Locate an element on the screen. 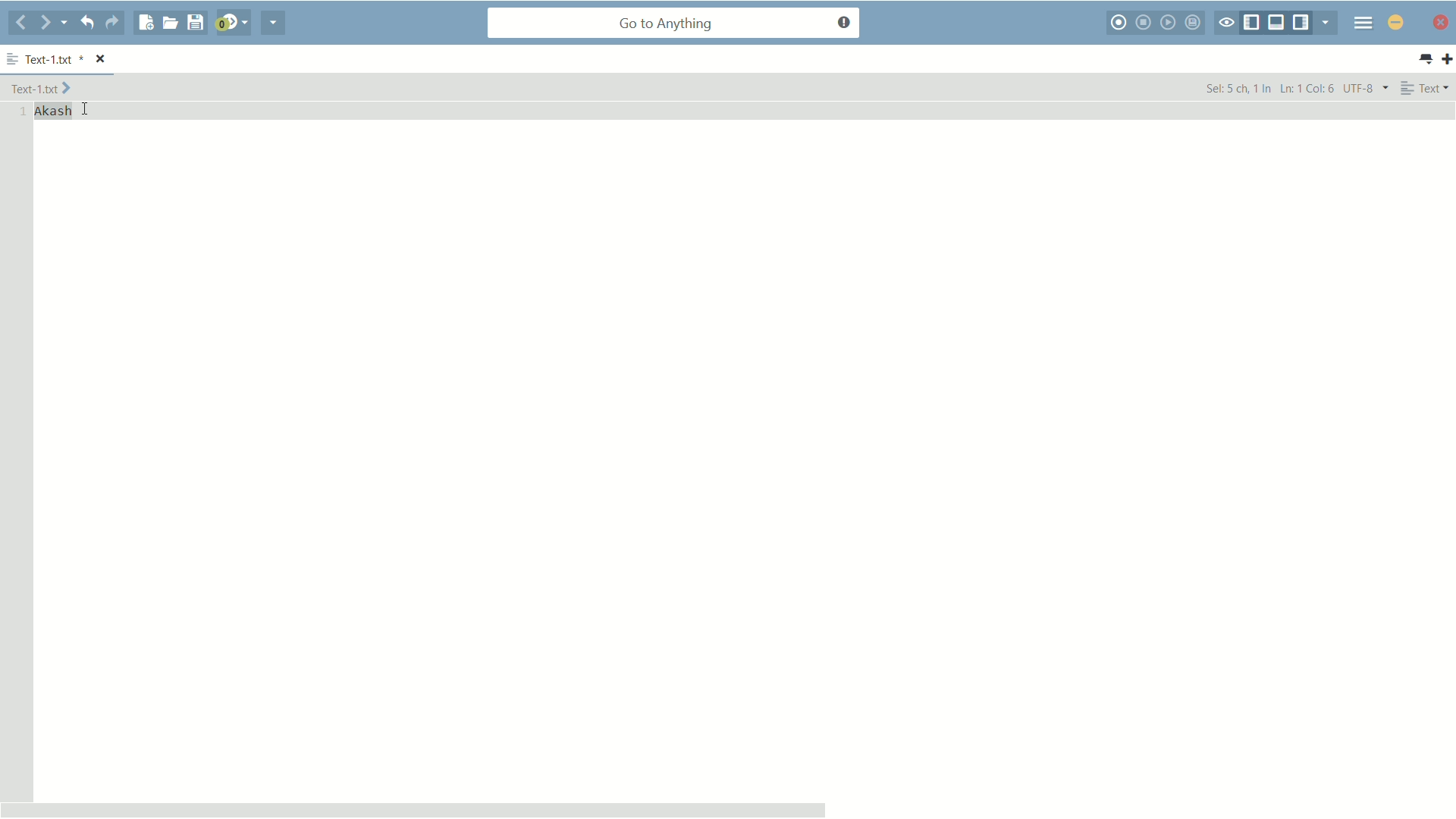  Sel: 5ch, 1 line Line: 1 Column: 6 is located at coordinates (1269, 87).